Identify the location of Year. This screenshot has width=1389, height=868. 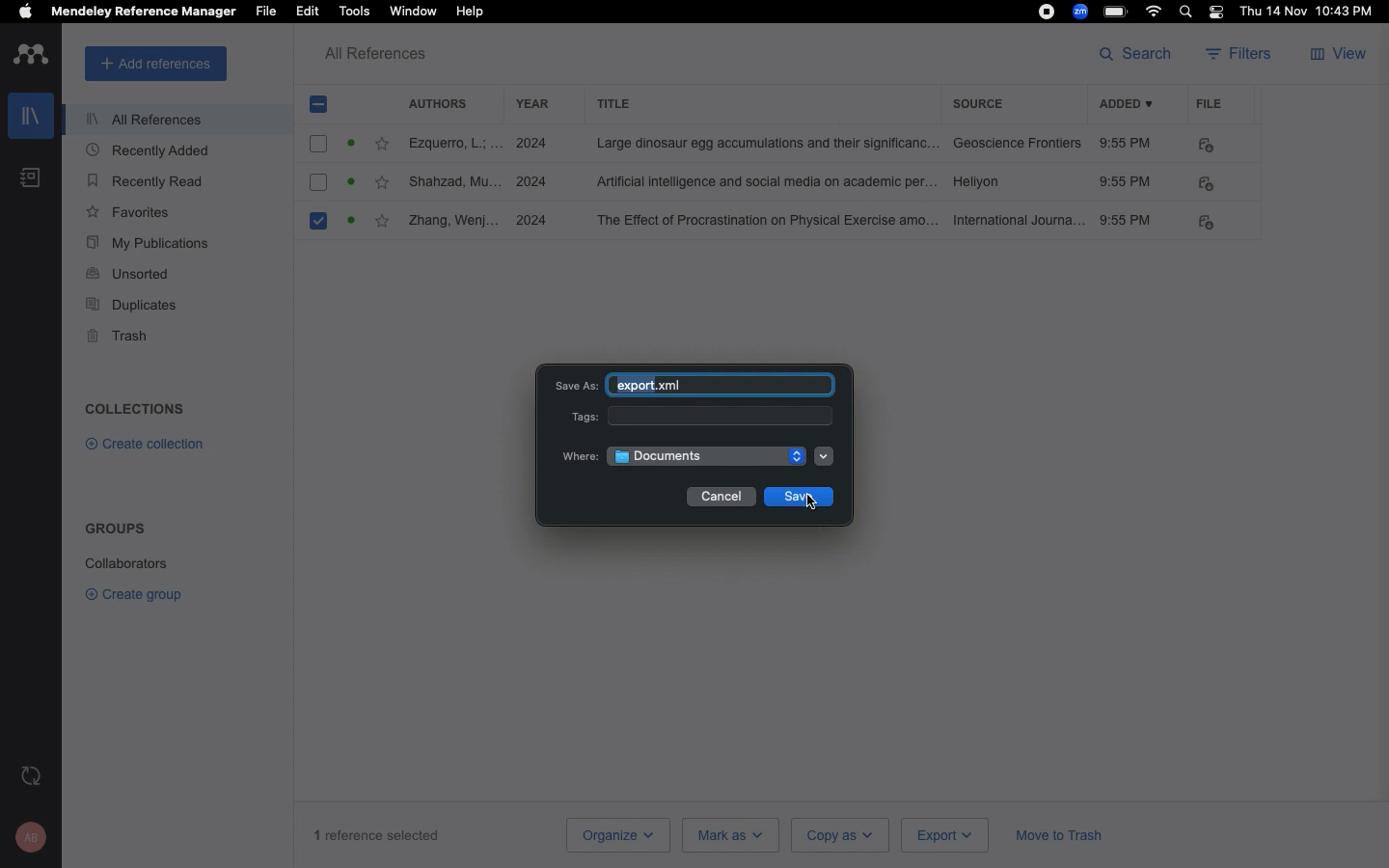
(532, 104).